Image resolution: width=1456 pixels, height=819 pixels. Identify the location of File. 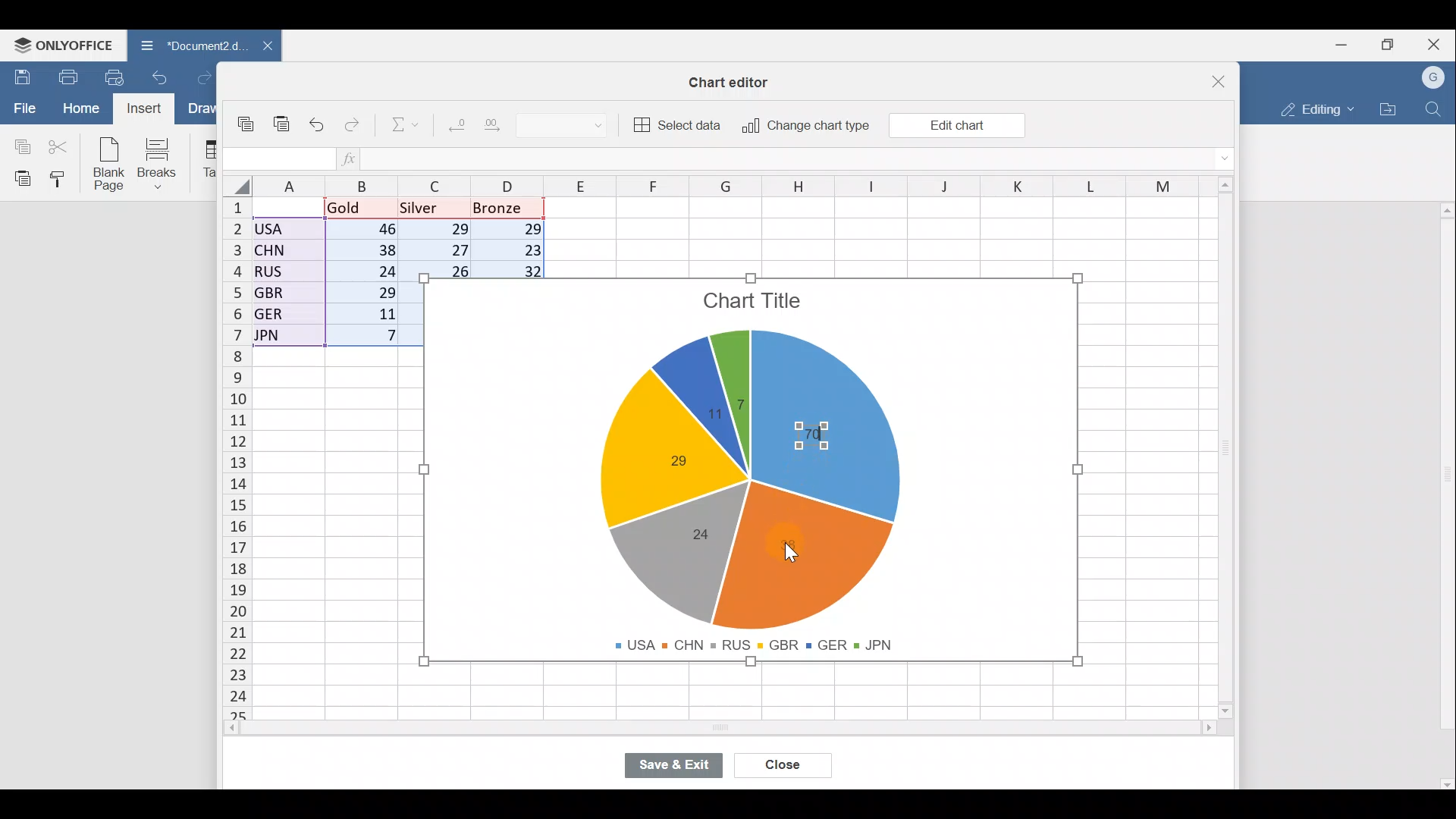
(23, 107).